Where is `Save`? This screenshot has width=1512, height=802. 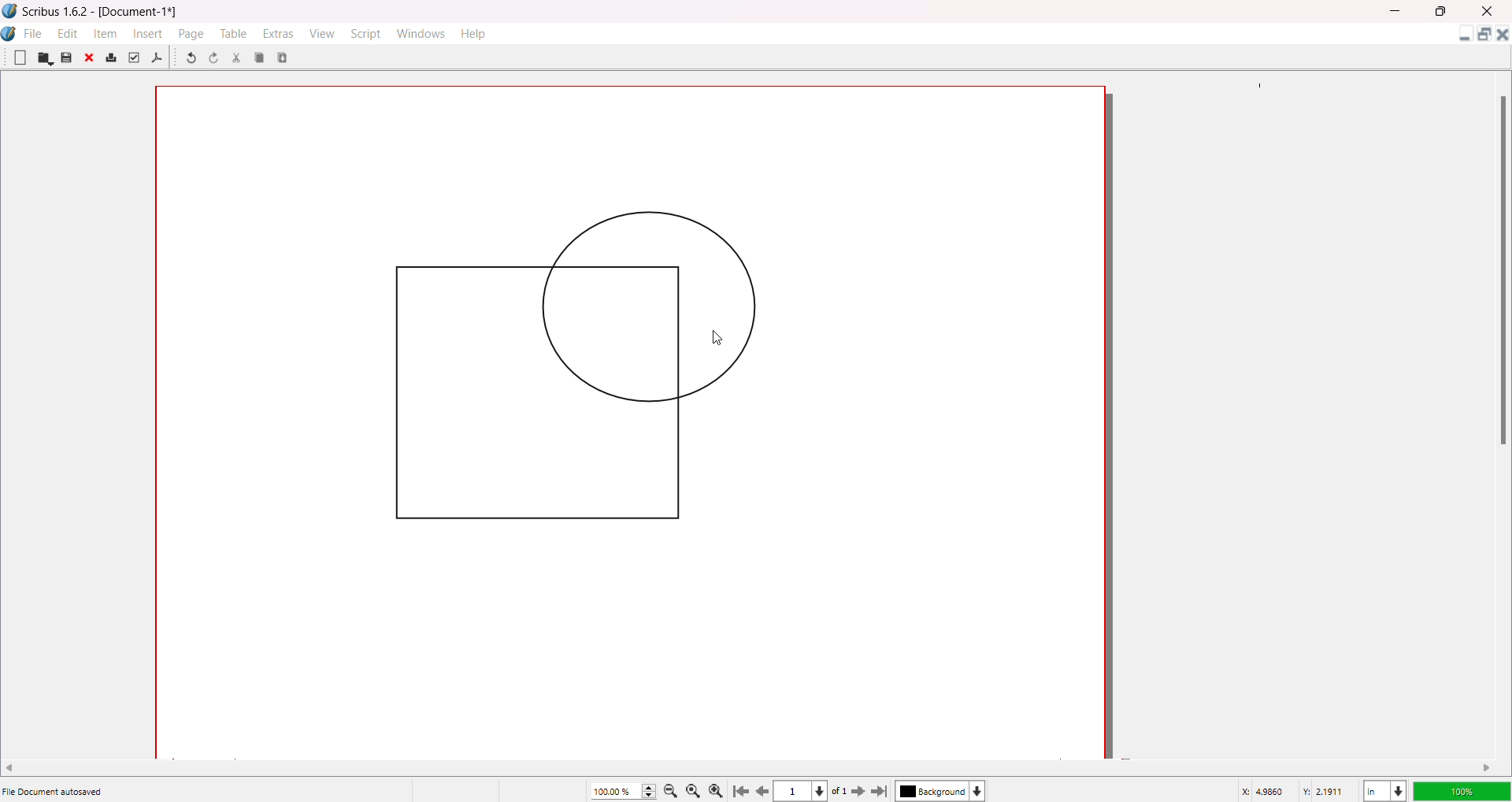 Save is located at coordinates (66, 58).